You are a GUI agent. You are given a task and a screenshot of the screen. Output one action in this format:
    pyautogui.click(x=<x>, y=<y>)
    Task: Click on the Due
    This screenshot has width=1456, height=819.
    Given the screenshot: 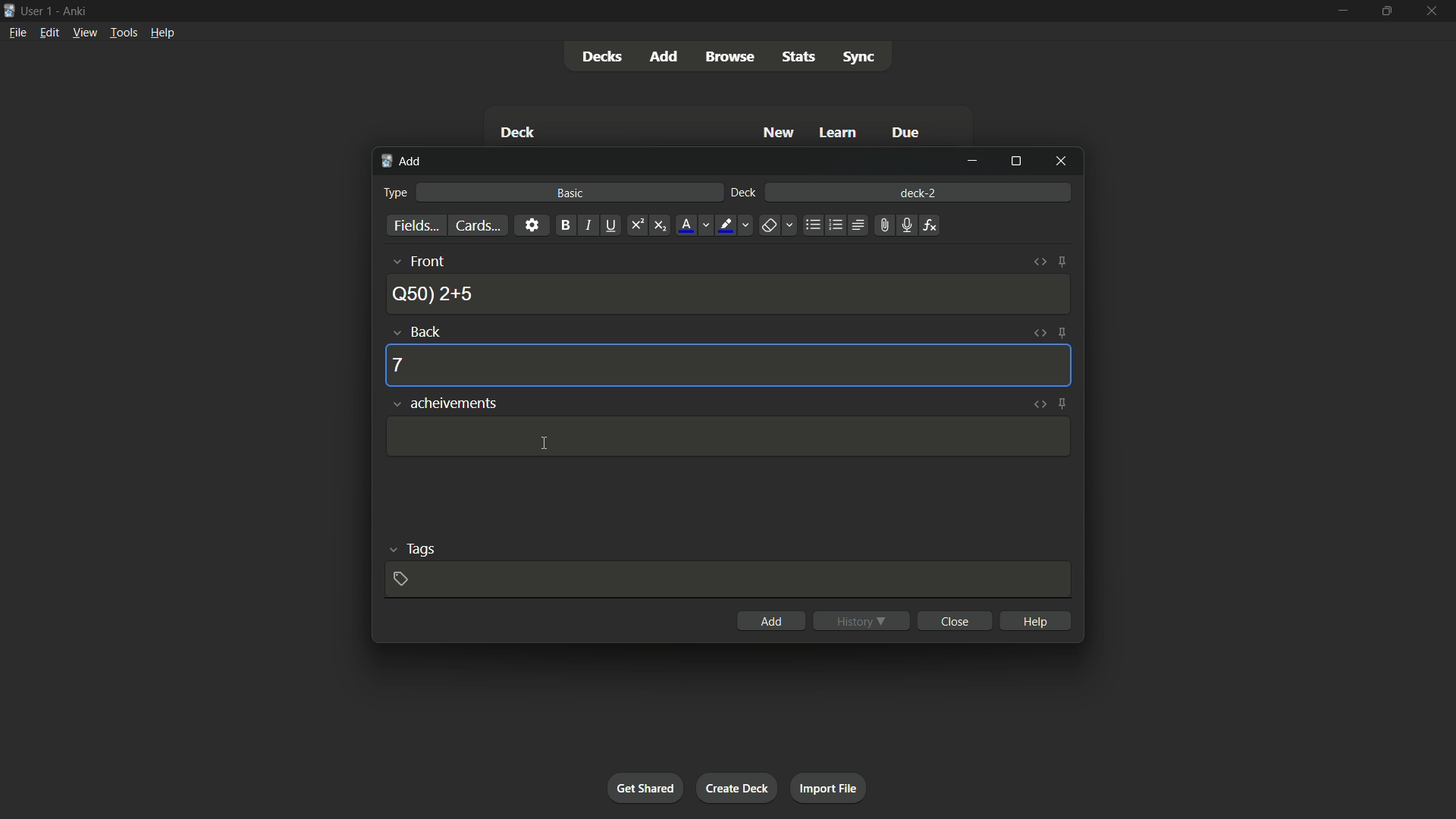 What is the action you would take?
    pyautogui.click(x=907, y=132)
    